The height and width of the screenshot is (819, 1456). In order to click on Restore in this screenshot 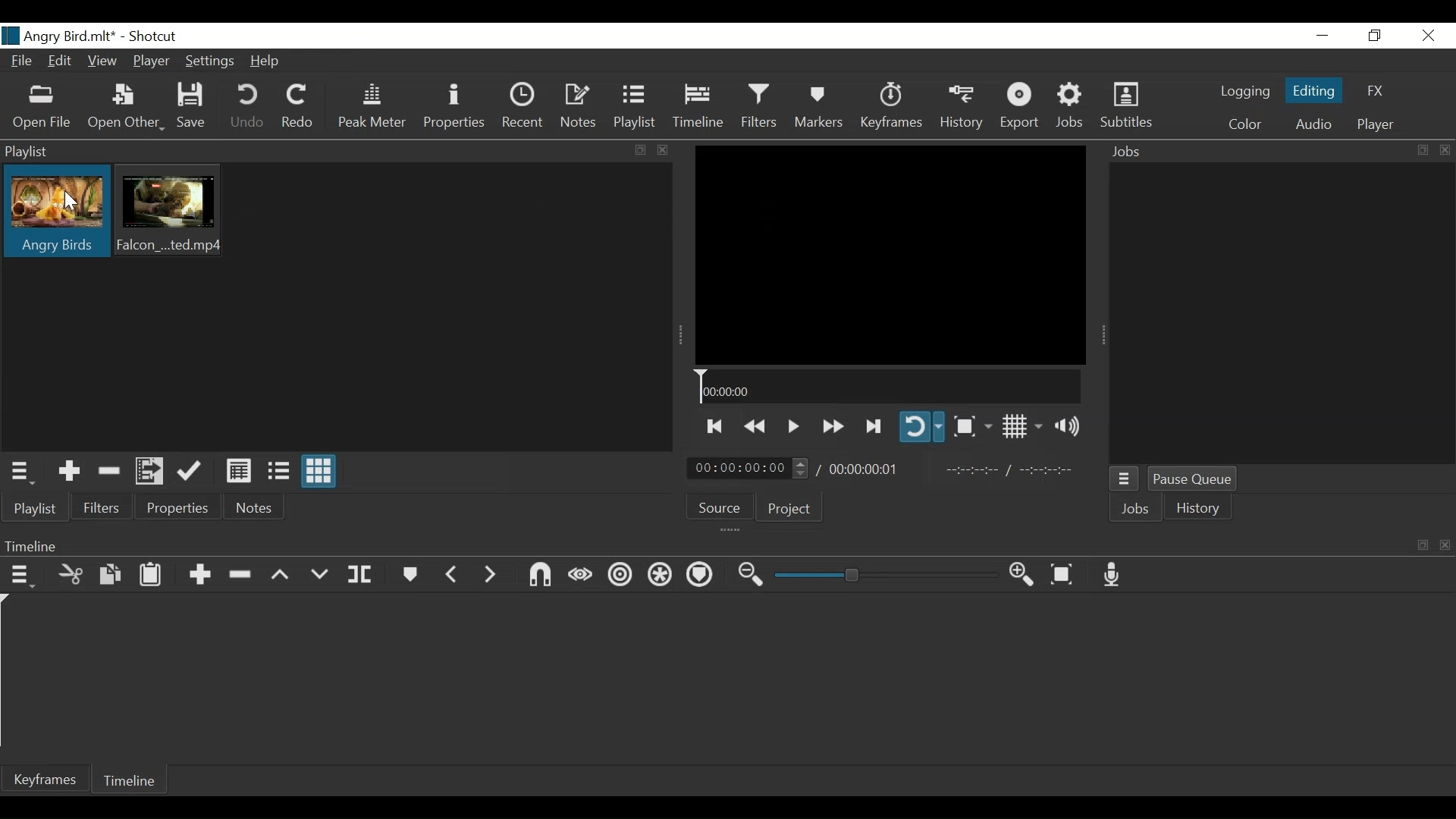, I will do `click(1373, 36)`.